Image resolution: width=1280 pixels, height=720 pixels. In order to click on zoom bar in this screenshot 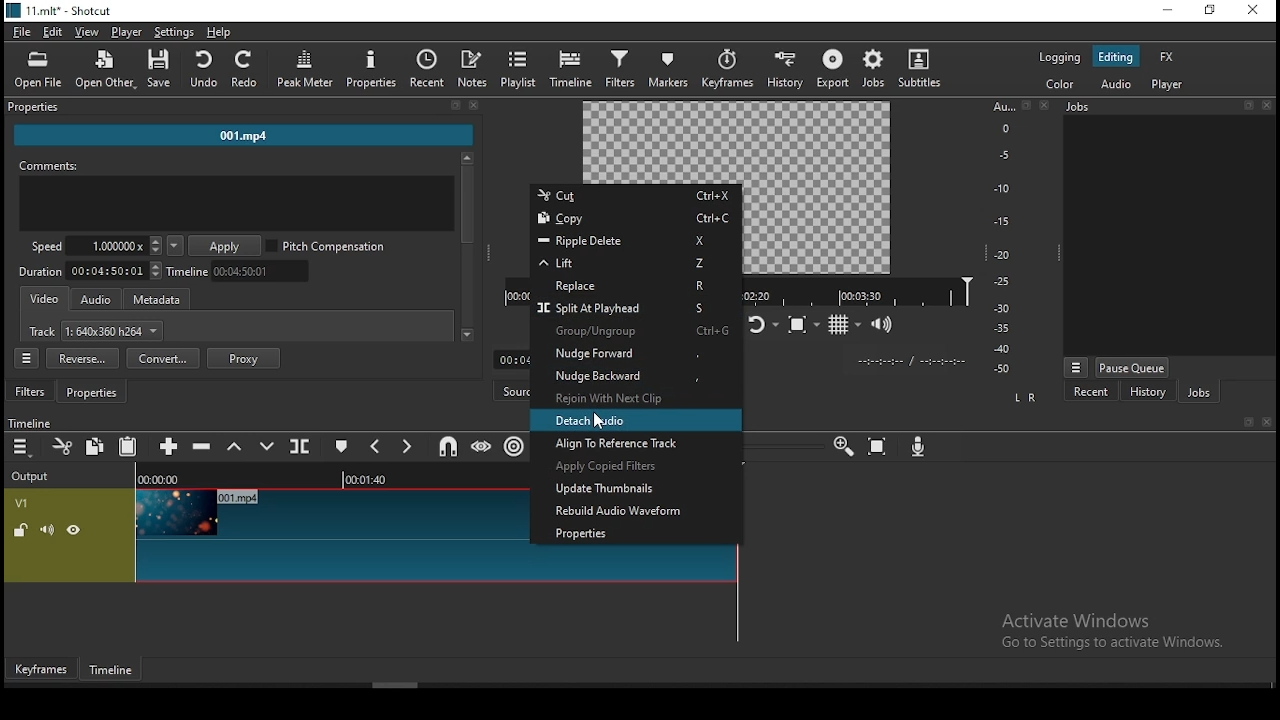, I will do `click(782, 443)`.